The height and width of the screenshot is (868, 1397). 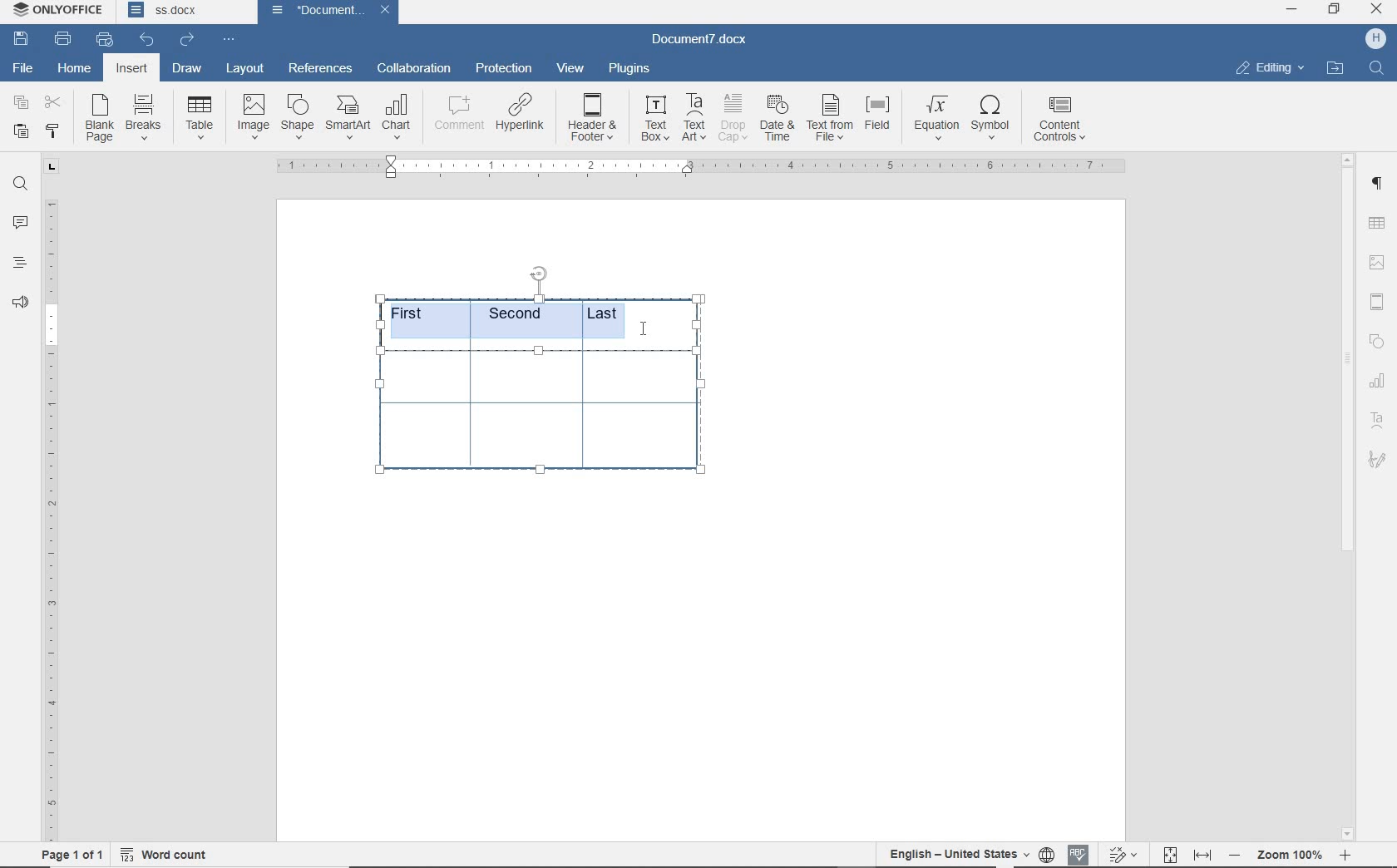 What do you see at coordinates (166, 851) in the screenshot?
I see `word count` at bounding box center [166, 851].